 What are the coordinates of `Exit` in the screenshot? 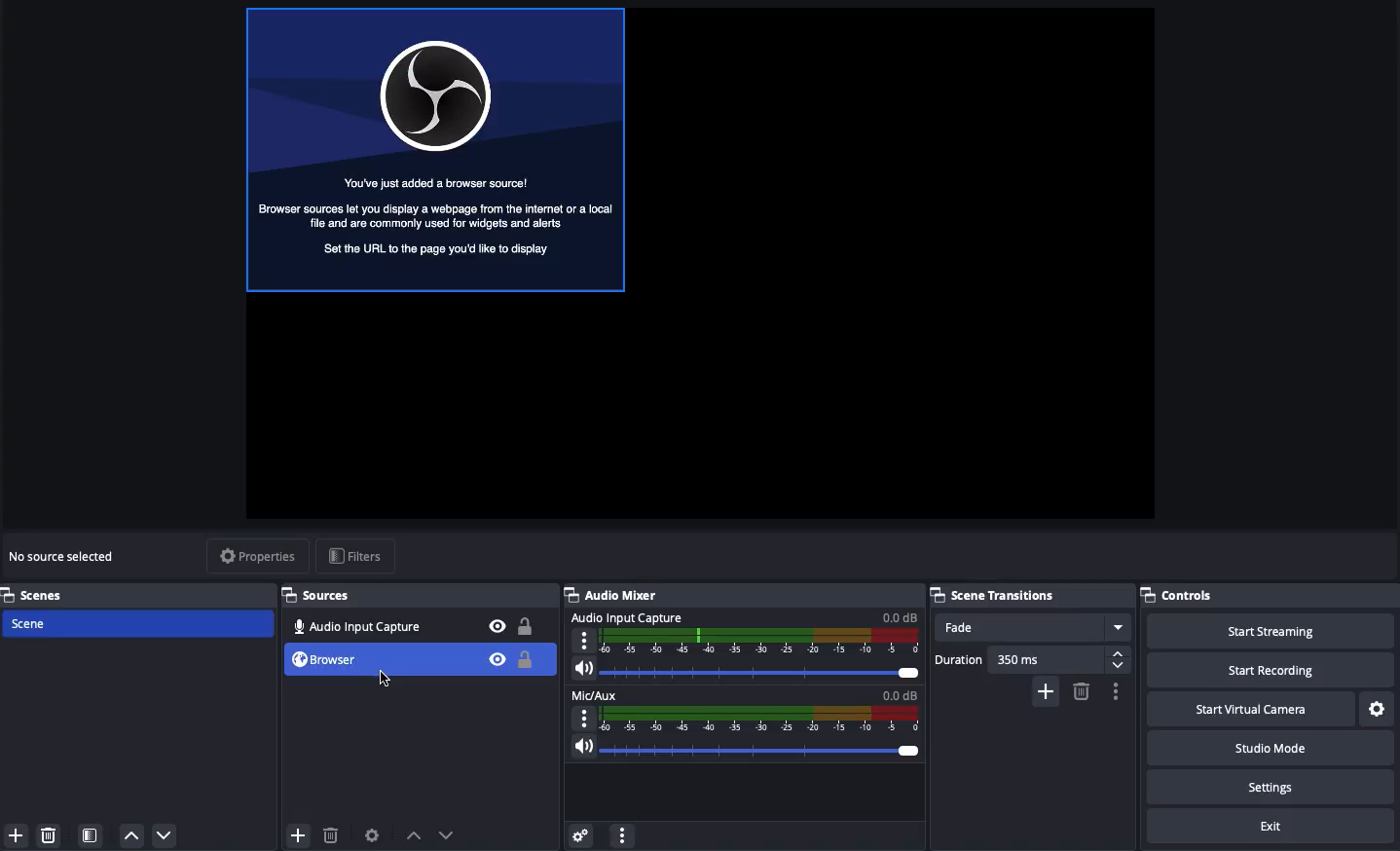 It's located at (1271, 827).